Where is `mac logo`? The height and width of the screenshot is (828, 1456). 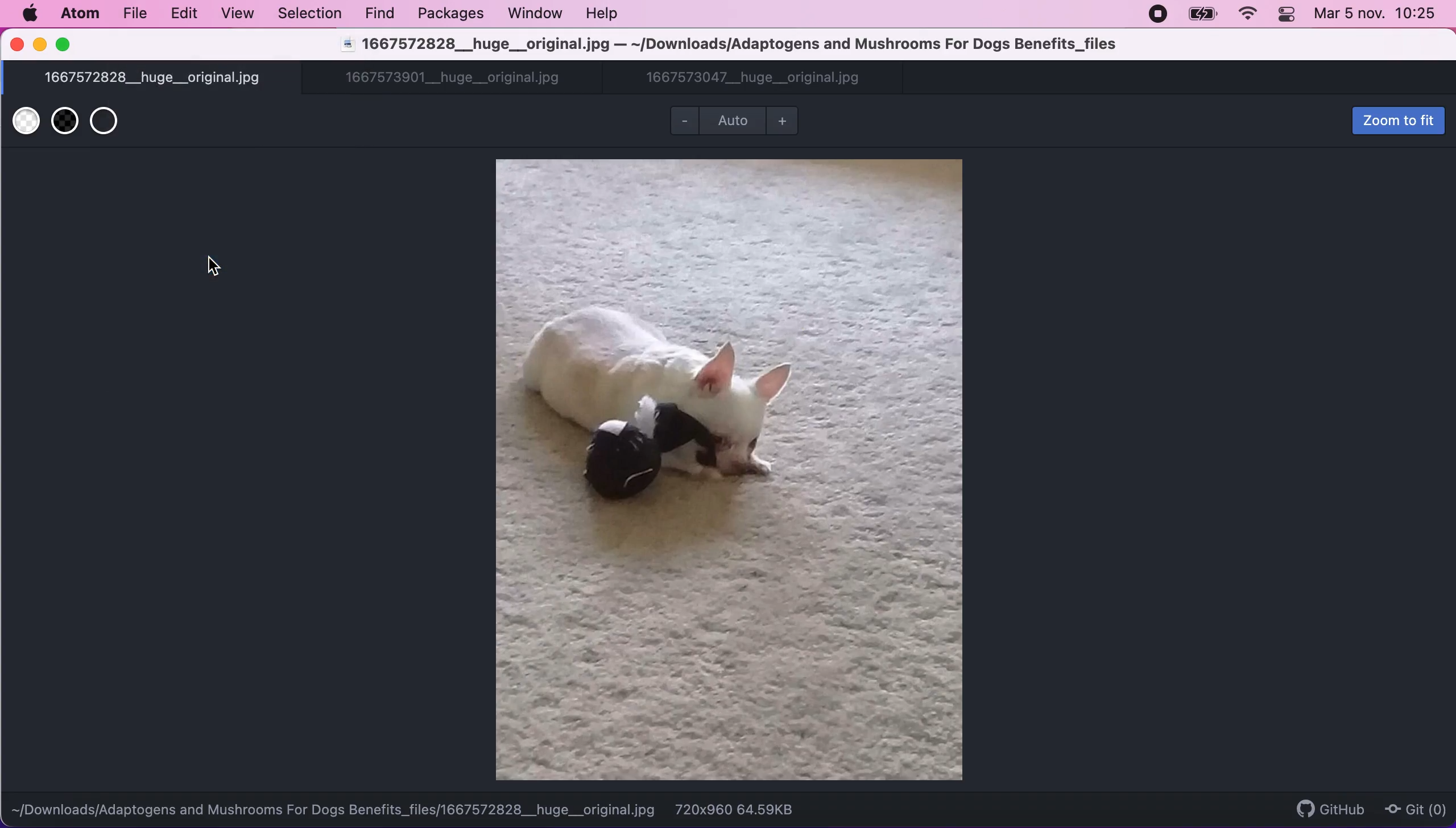
mac logo is located at coordinates (31, 15).